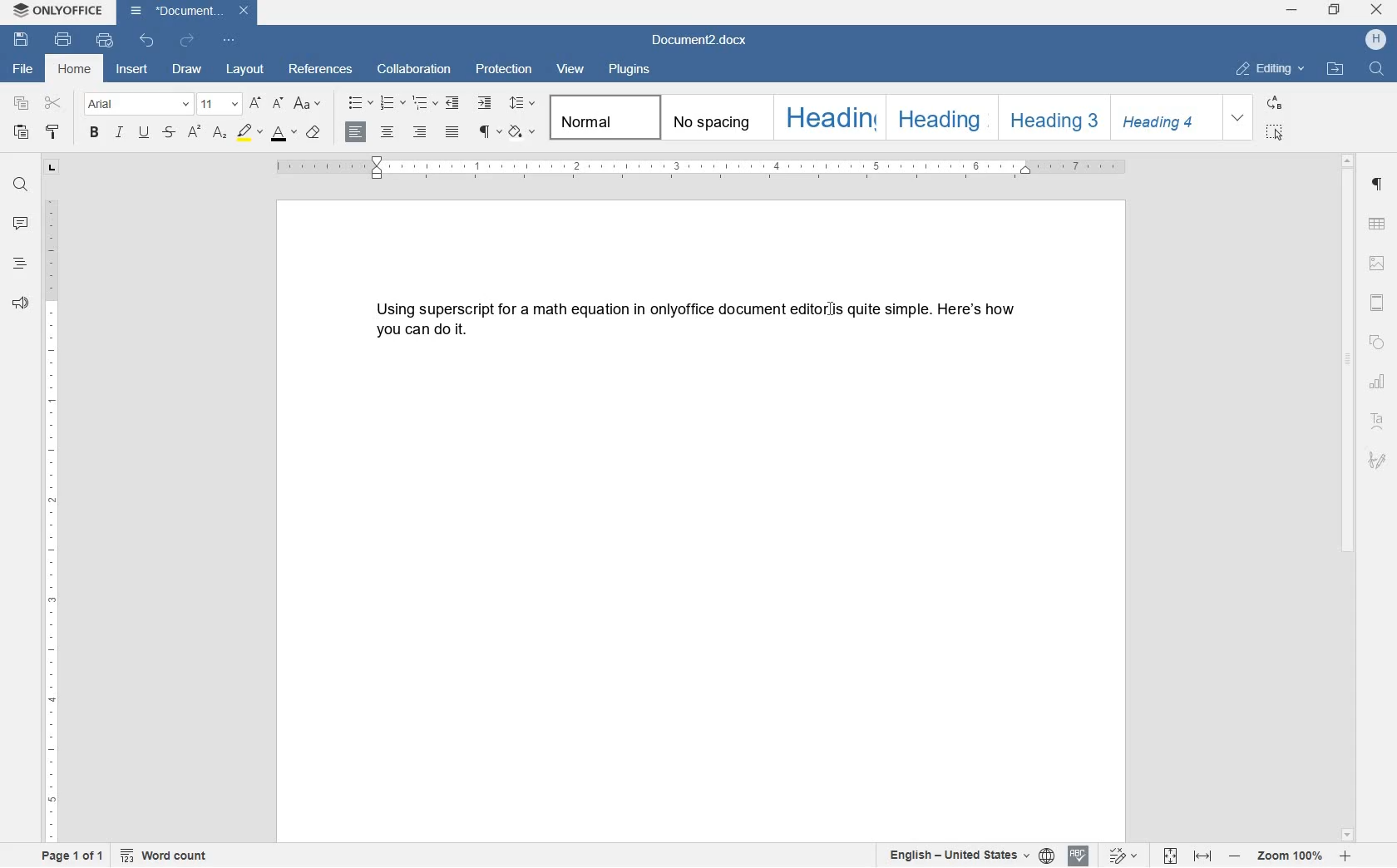  Describe the element at coordinates (1190, 856) in the screenshot. I see `fit to page or fit to width` at that location.